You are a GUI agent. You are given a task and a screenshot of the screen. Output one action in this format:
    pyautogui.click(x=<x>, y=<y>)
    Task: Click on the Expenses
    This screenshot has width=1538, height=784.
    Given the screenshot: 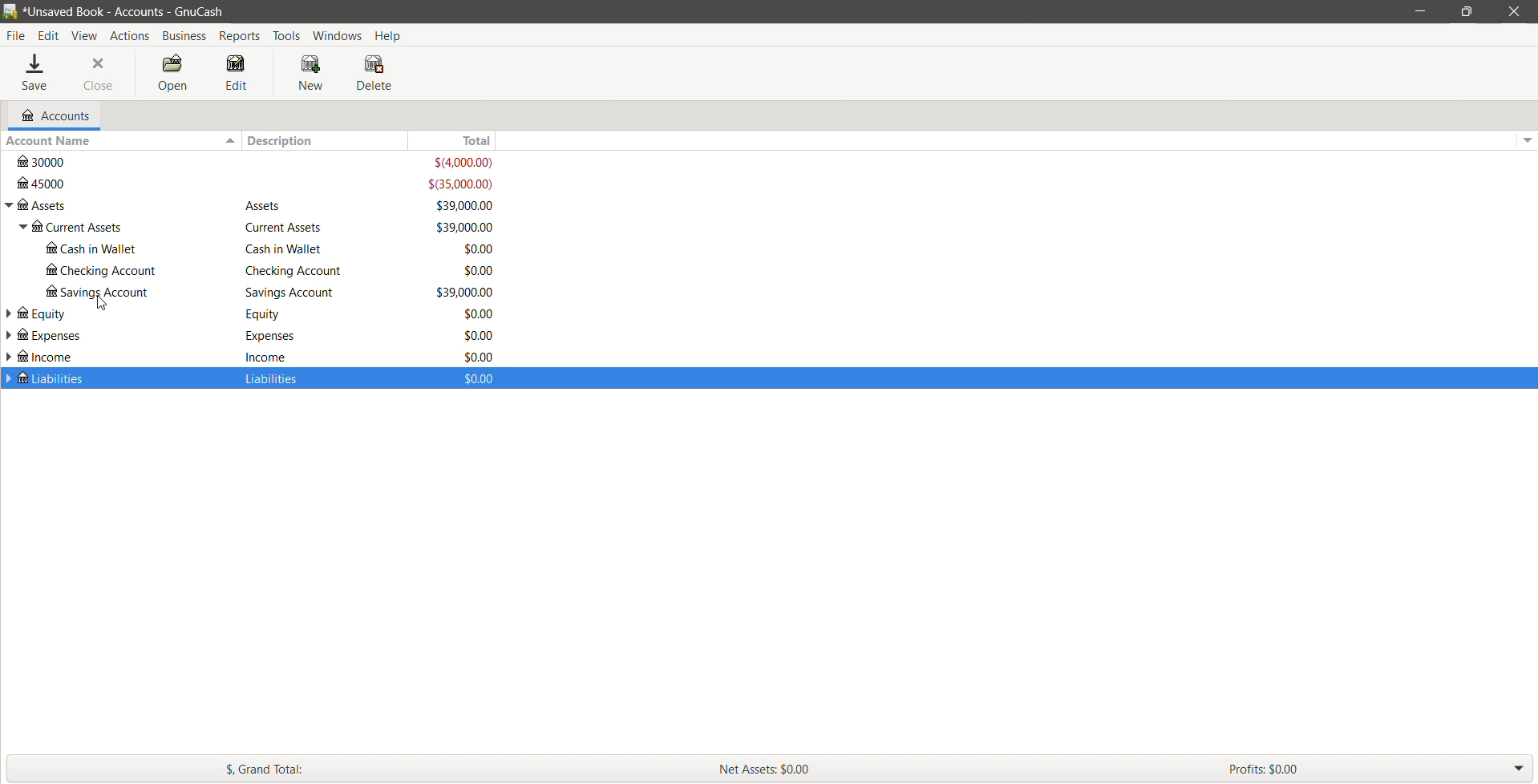 What is the action you would take?
    pyautogui.click(x=115, y=335)
    